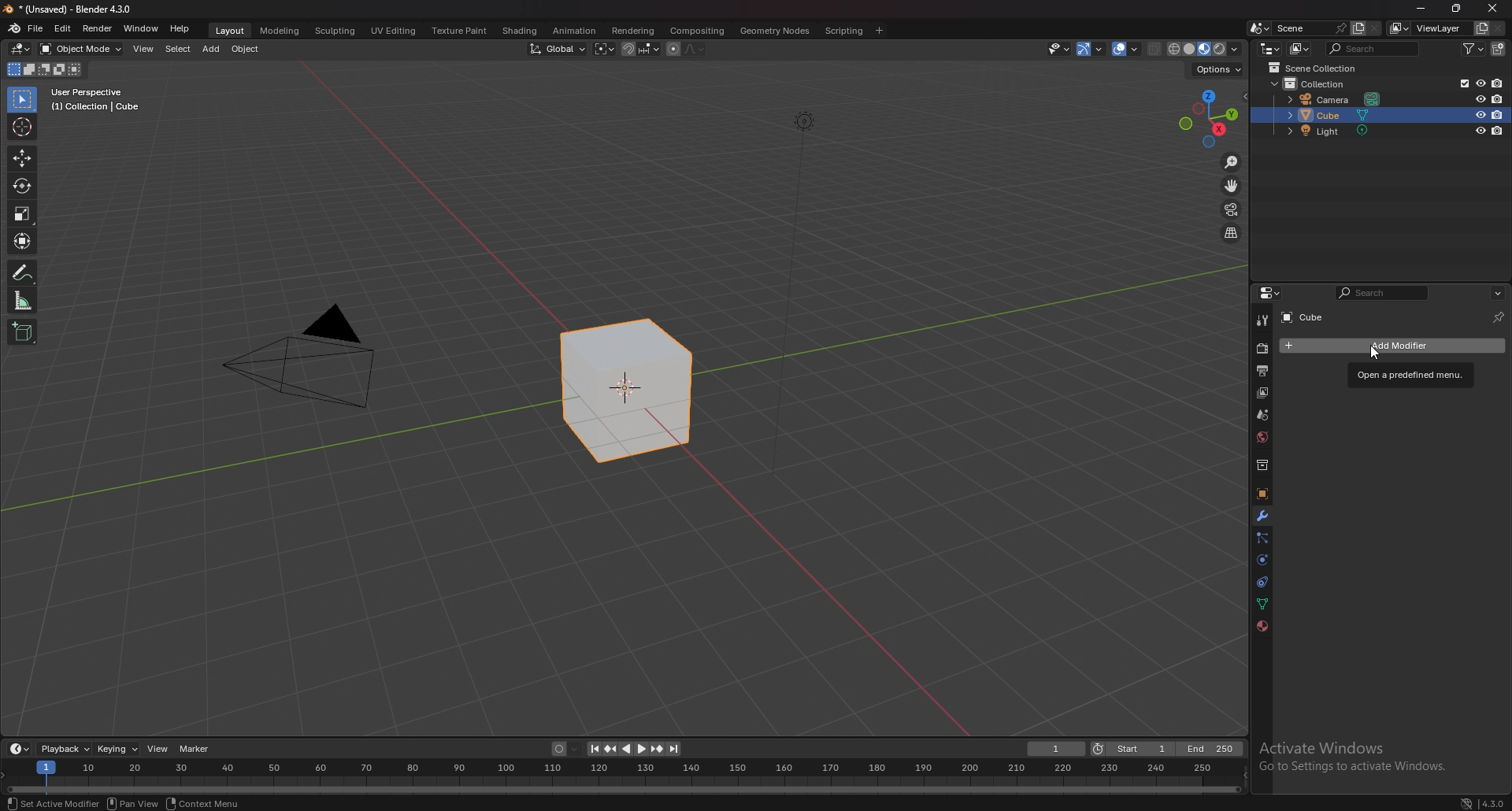 The height and width of the screenshot is (811, 1512). What do you see at coordinates (1499, 294) in the screenshot?
I see `options` at bounding box center [1499, 294].